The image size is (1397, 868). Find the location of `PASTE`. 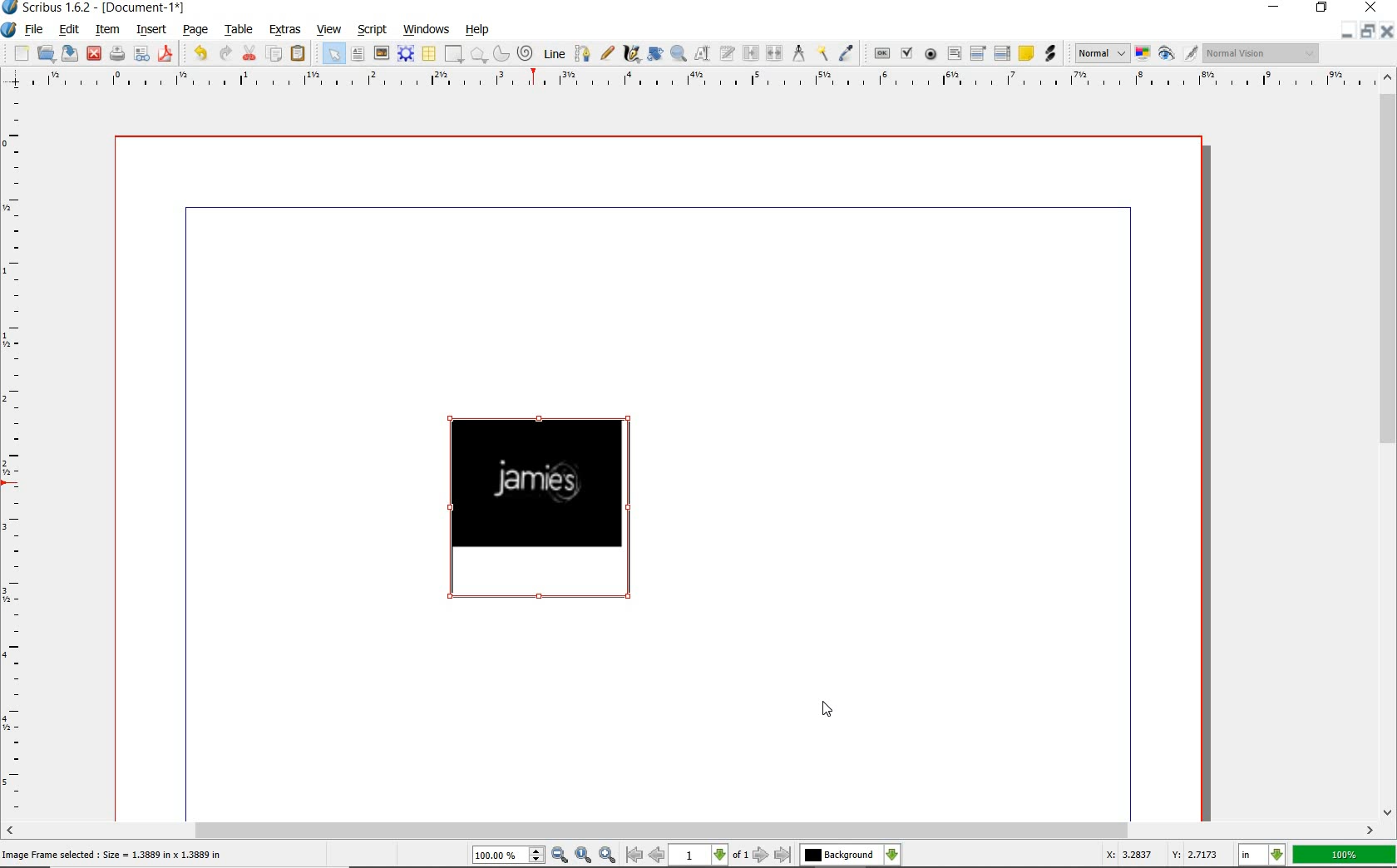

PASTE is located at coordinates (301, 53).